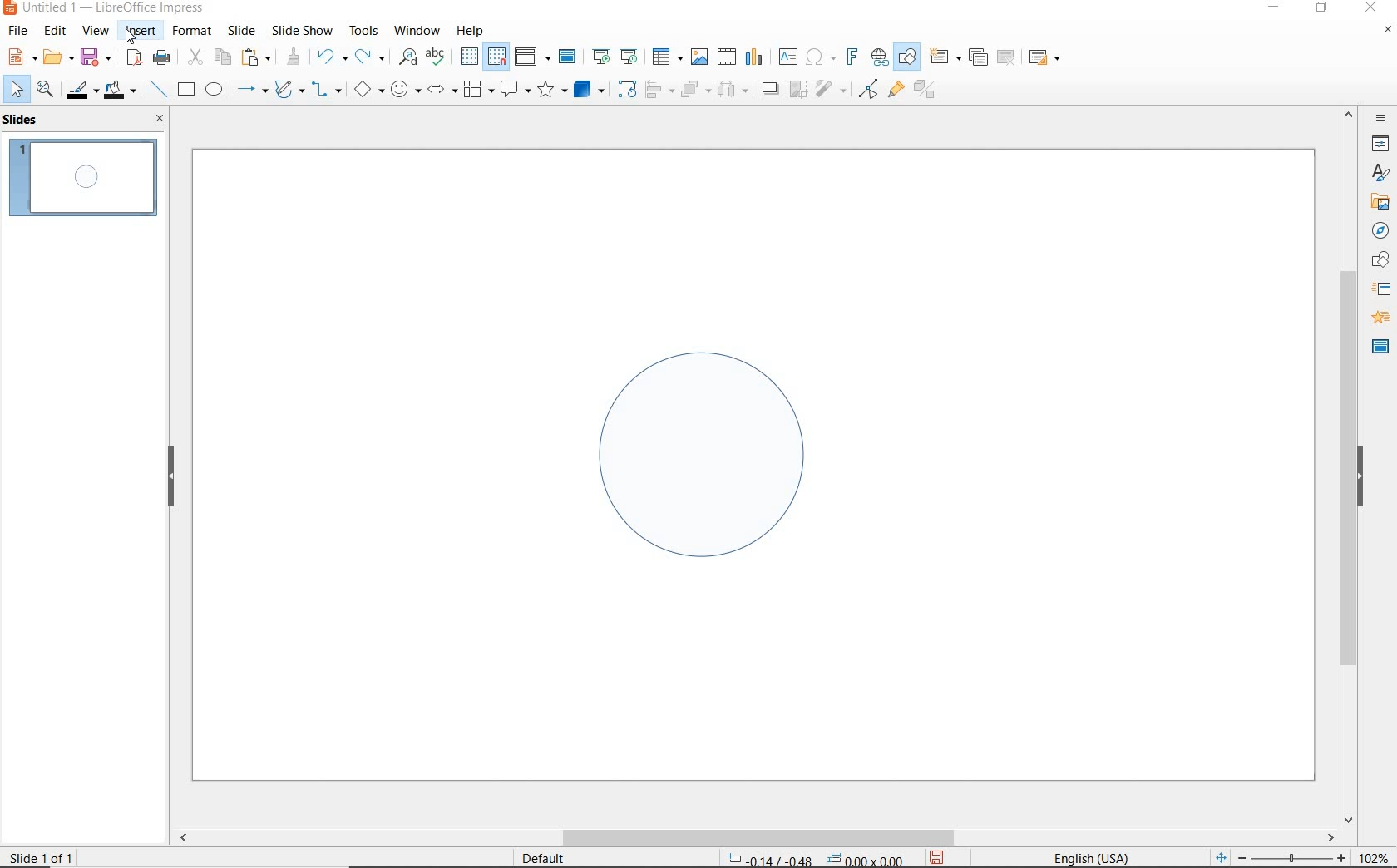  What do you see at coordinates (439, 91) in the screenshot?
I see `block arrows` at bounding box center [439, 91].